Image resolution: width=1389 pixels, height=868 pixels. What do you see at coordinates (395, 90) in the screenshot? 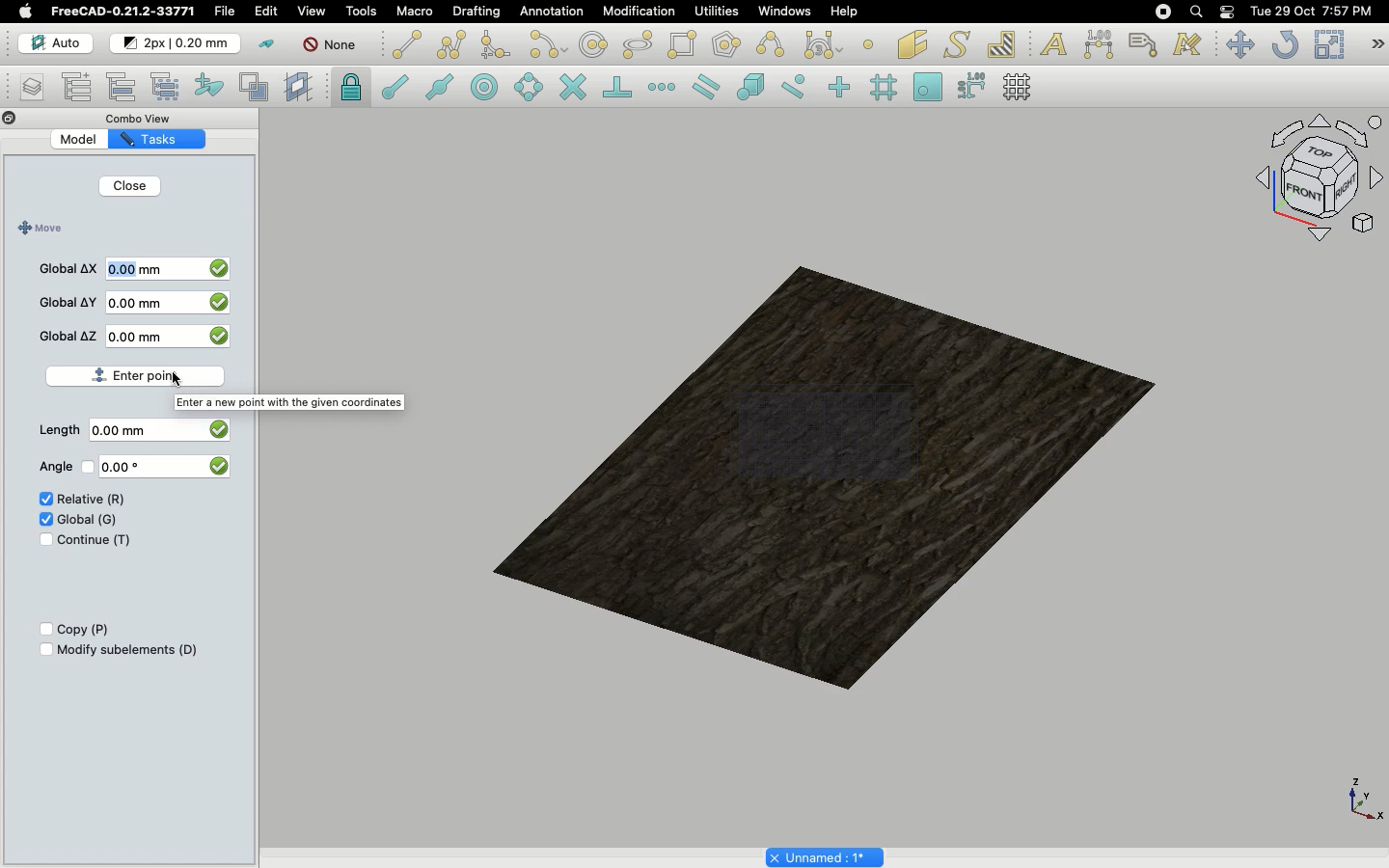
I see `Snap endpoint` at bounding box center [395, 90].